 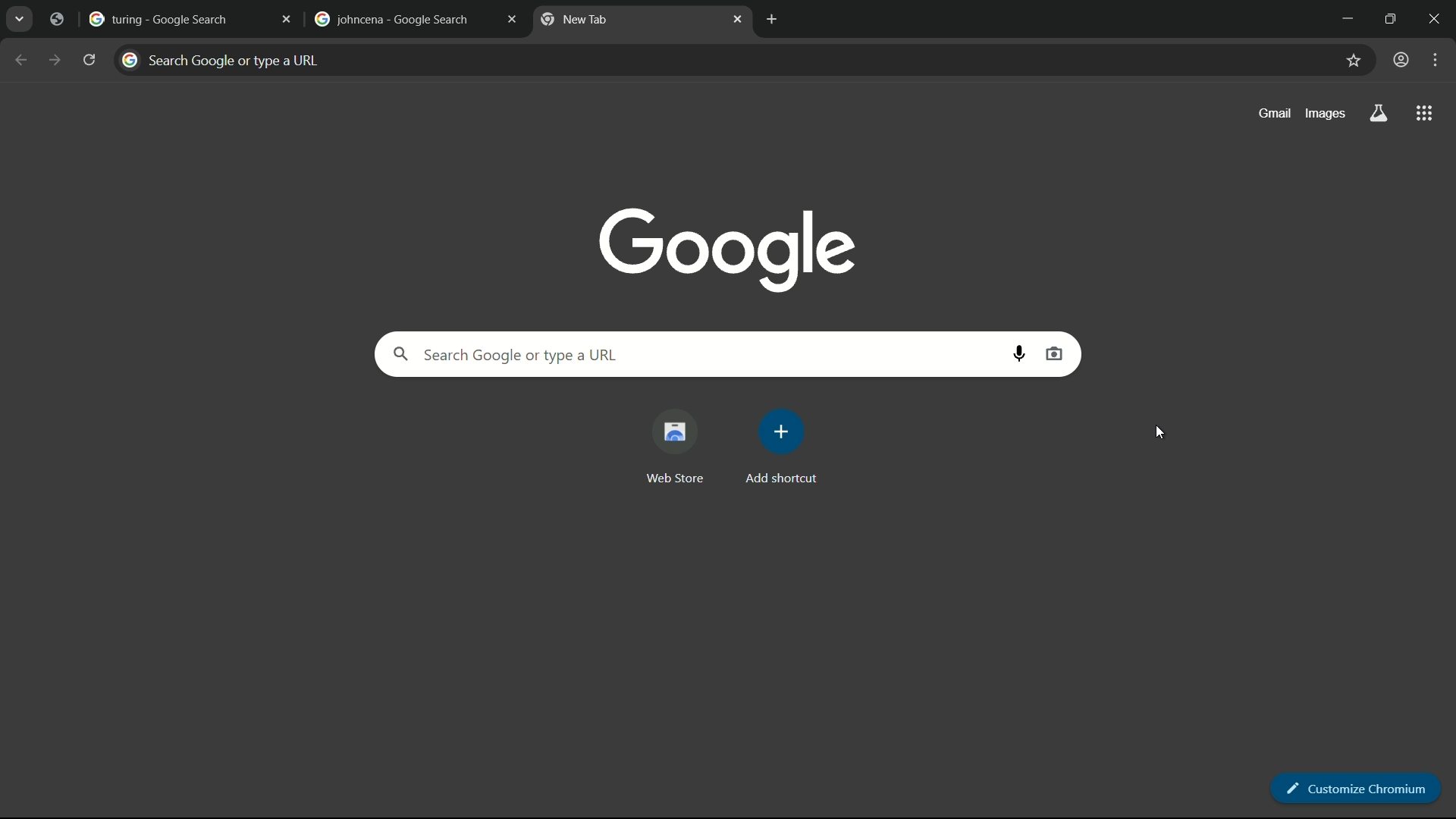 What do you see at coordinates (686, 353) in the screenshot?
I see `search google or type a url` at bounding box center [686, 353].